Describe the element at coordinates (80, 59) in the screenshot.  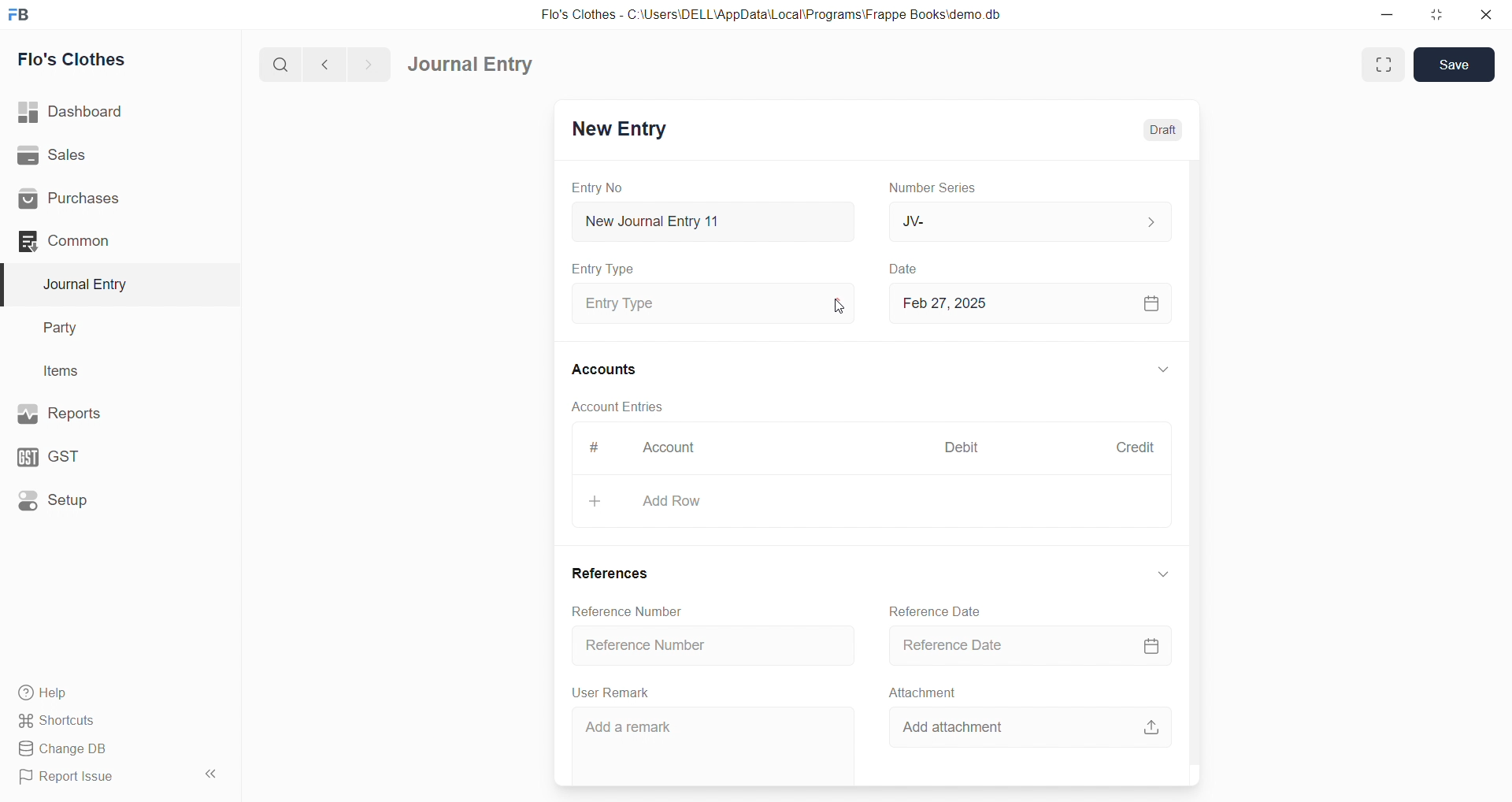
I see `Flo's Clothes` at that location.